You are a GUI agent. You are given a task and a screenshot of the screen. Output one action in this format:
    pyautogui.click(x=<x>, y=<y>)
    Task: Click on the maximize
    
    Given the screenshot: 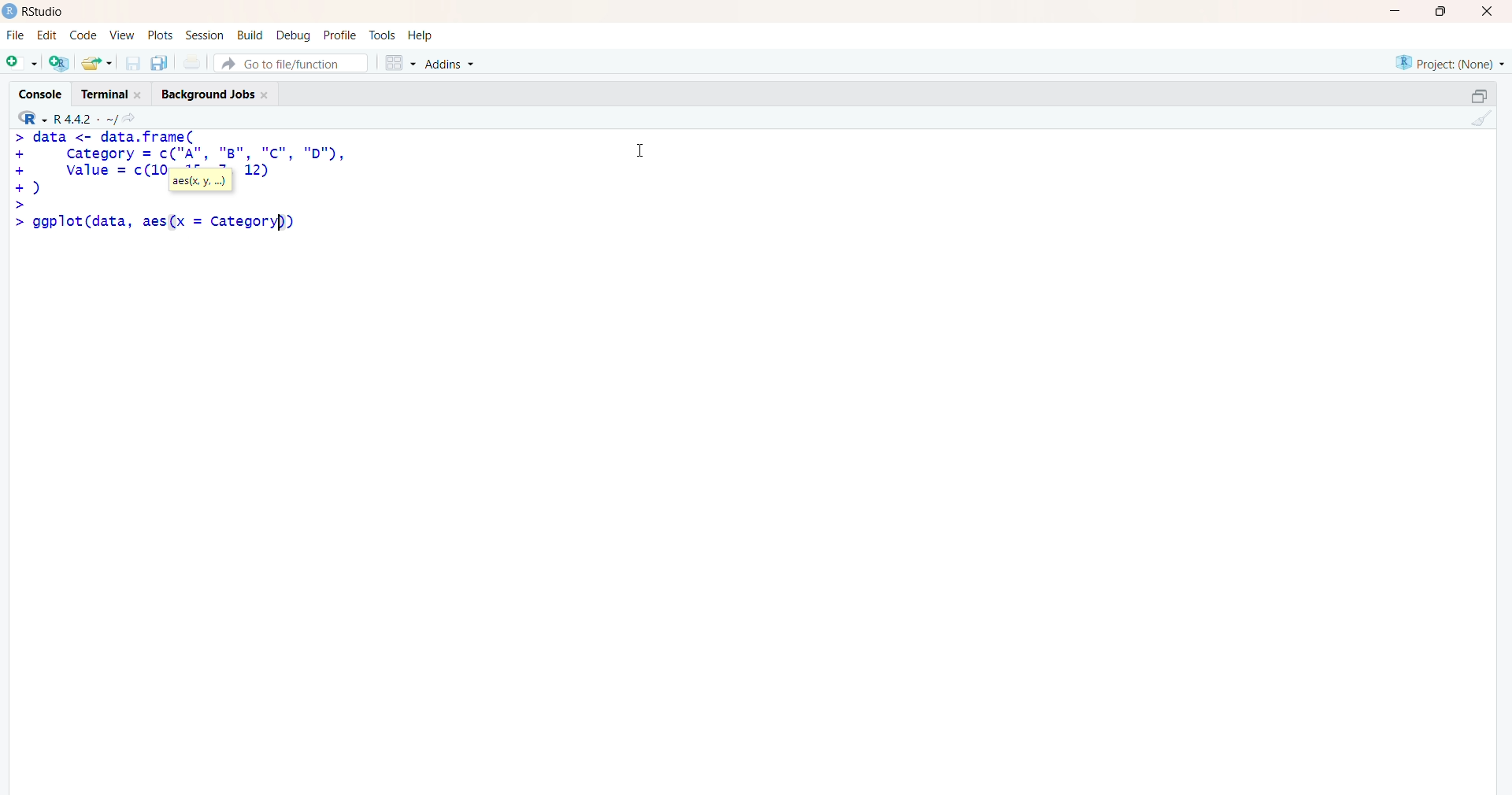 What is the action you would take?
    pyautogui.click(x=1479, y=96)
    